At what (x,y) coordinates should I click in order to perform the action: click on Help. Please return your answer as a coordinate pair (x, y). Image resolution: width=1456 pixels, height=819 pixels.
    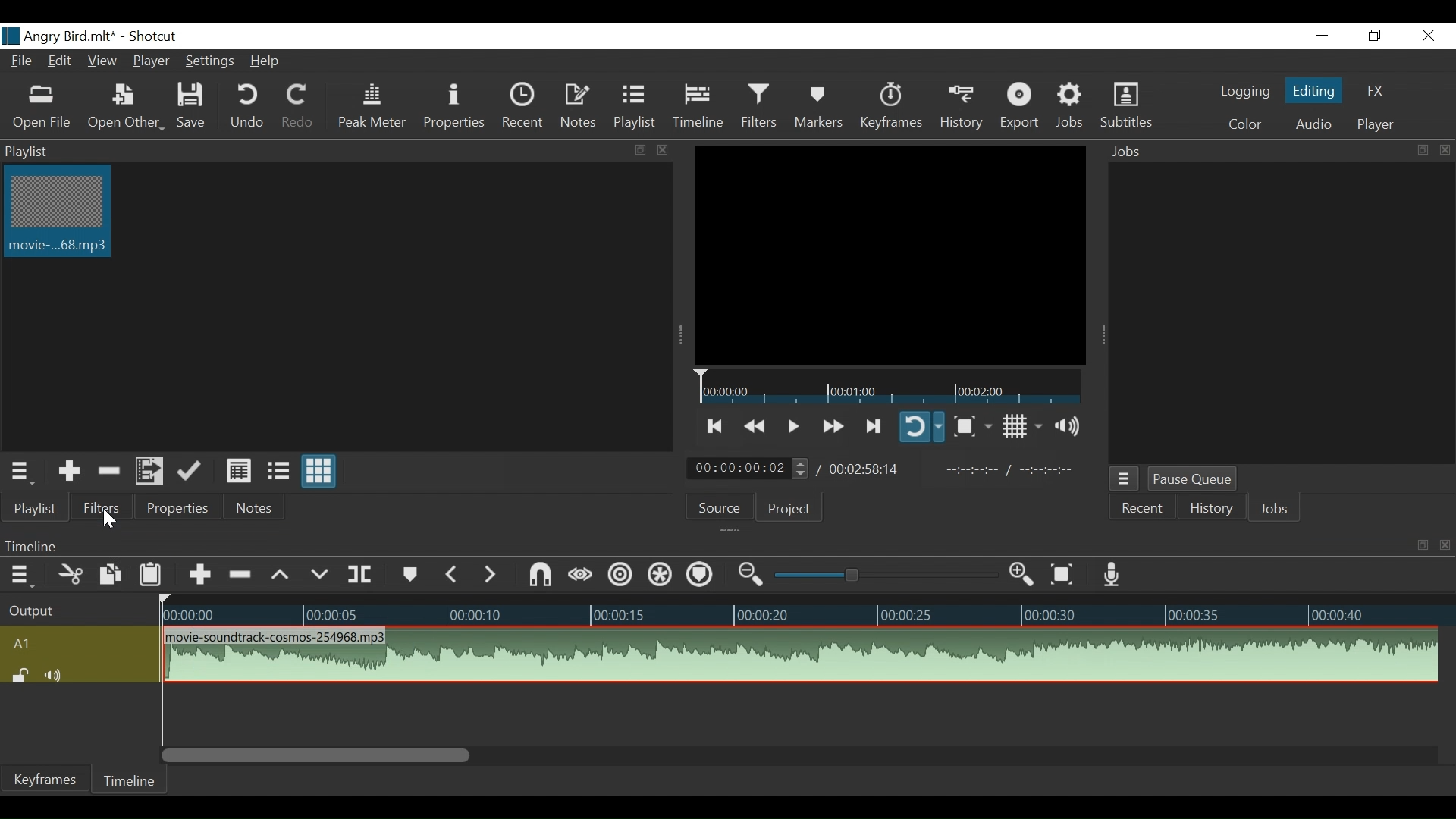
    Looking at the image, I should click on (266, 61).